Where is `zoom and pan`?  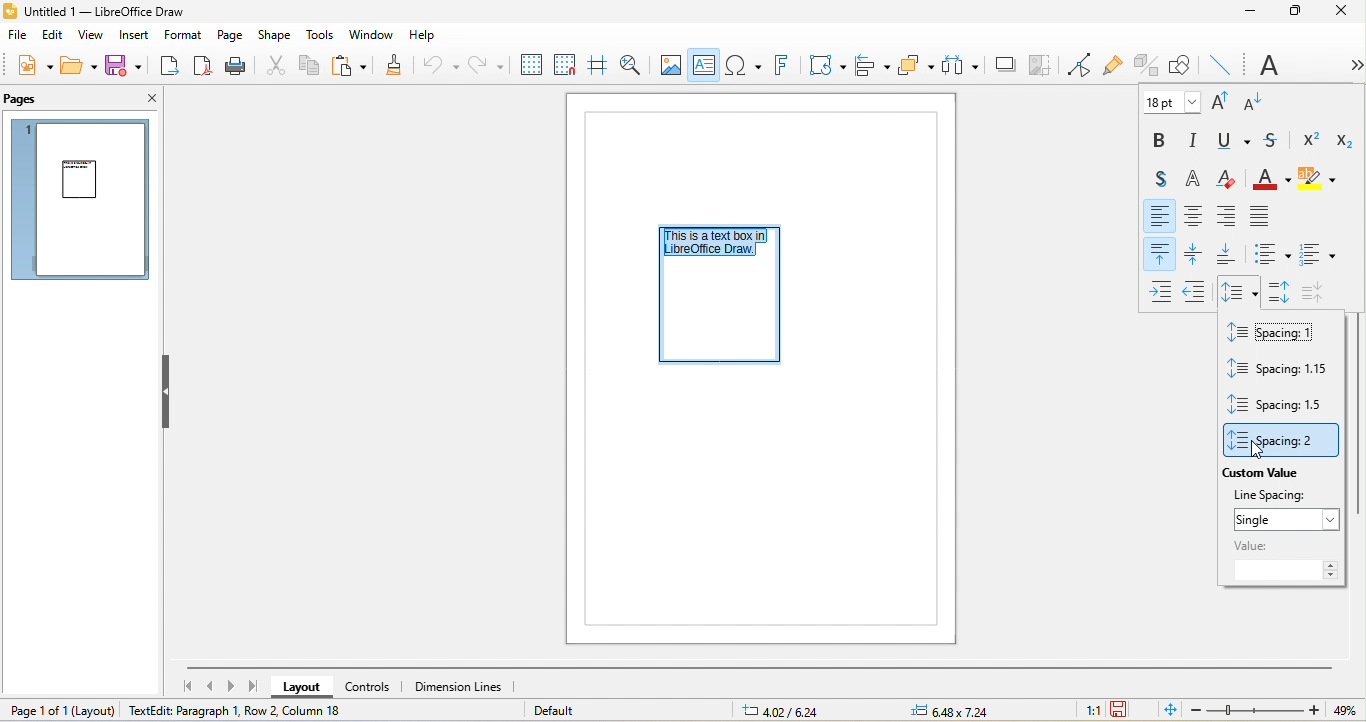
zoom and pan is located at coordinates (629, 64).